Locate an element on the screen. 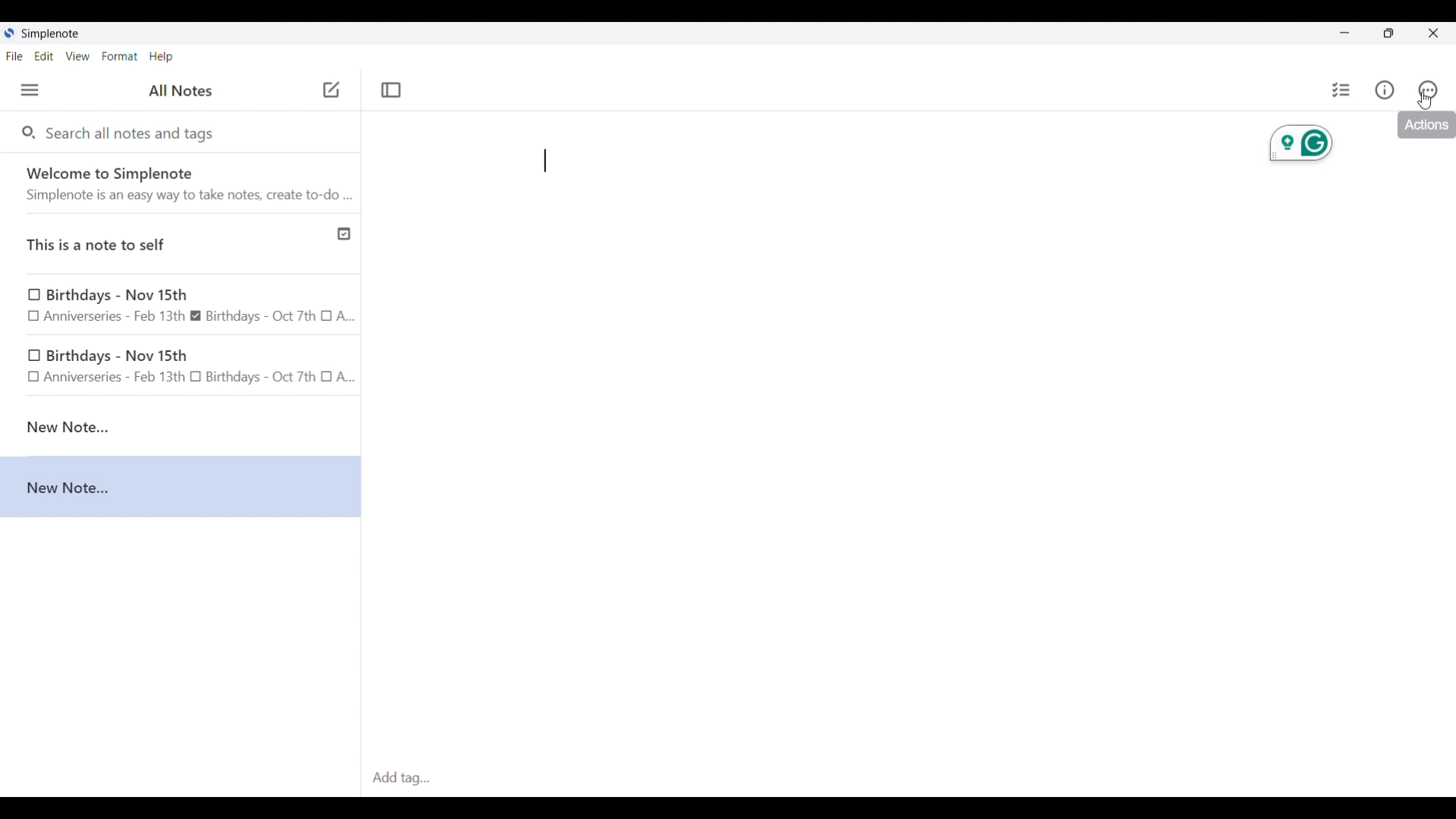 The width and height of the screenshot is (1456, 819). Actions is located at coordinates (1427, 90).